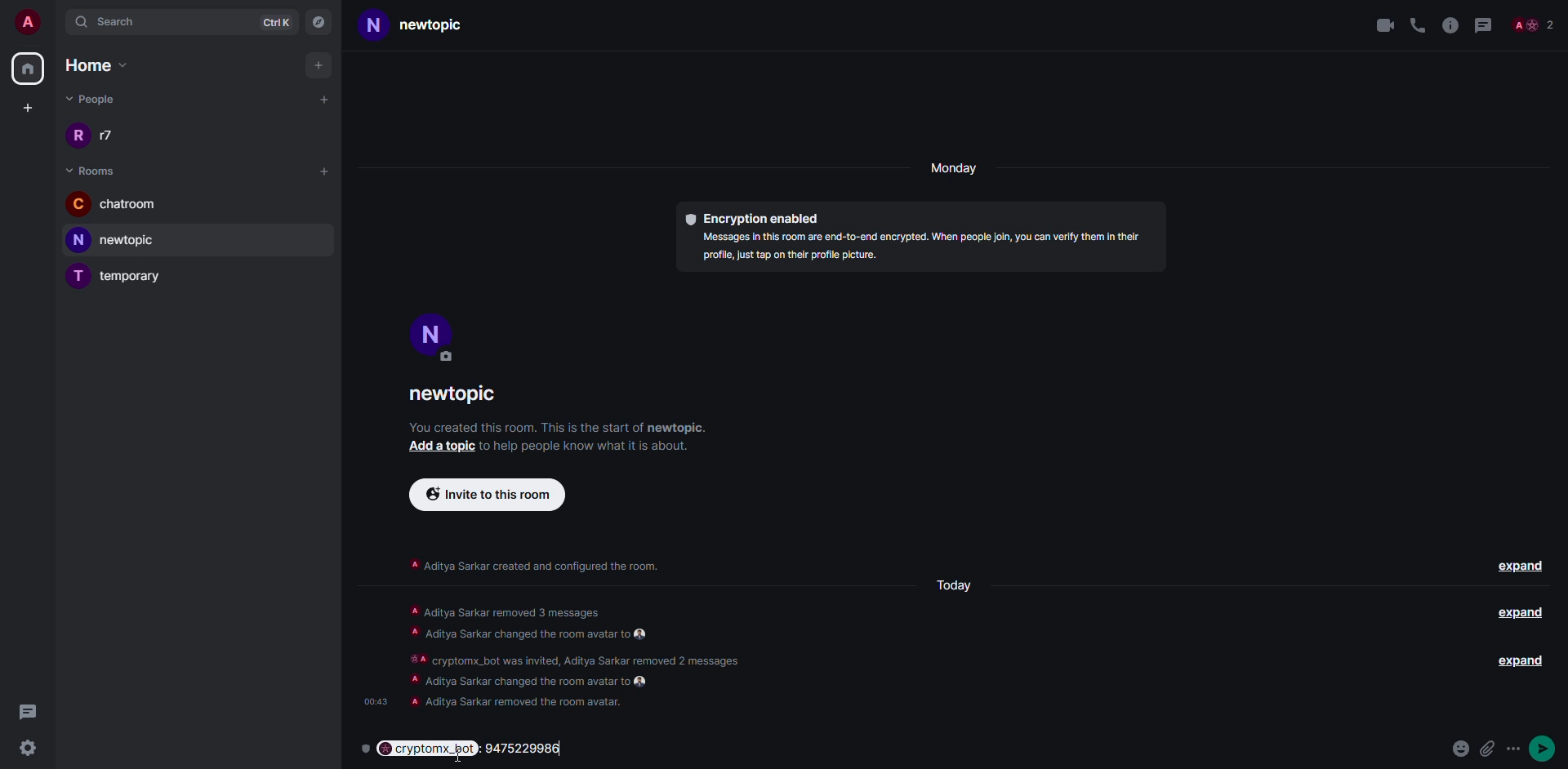 The image size is (1568, 769). I want to click on add, so click(324, 170).